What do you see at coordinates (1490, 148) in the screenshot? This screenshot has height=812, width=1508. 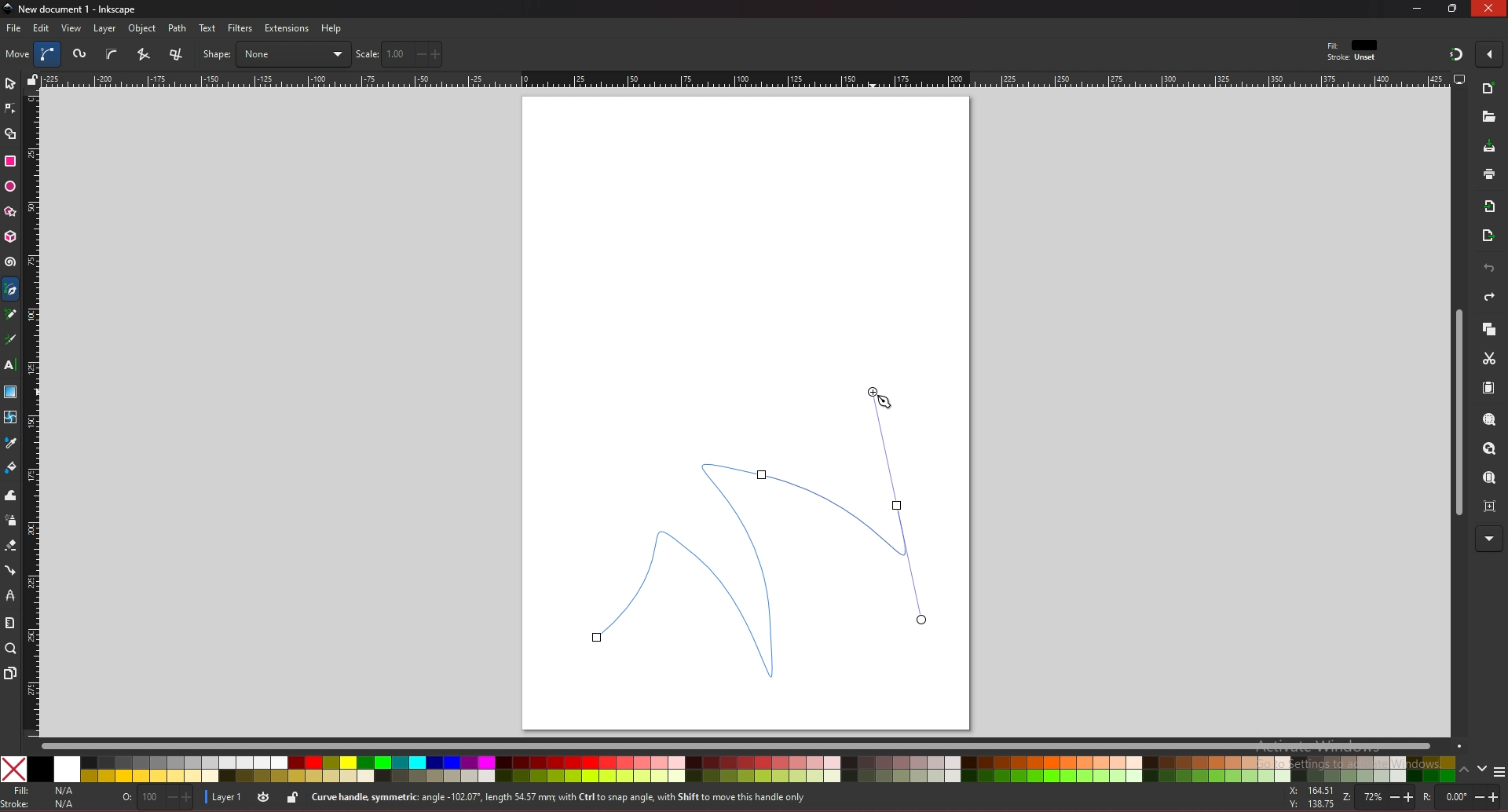 I see `save` at bounding box center [1490, 148].